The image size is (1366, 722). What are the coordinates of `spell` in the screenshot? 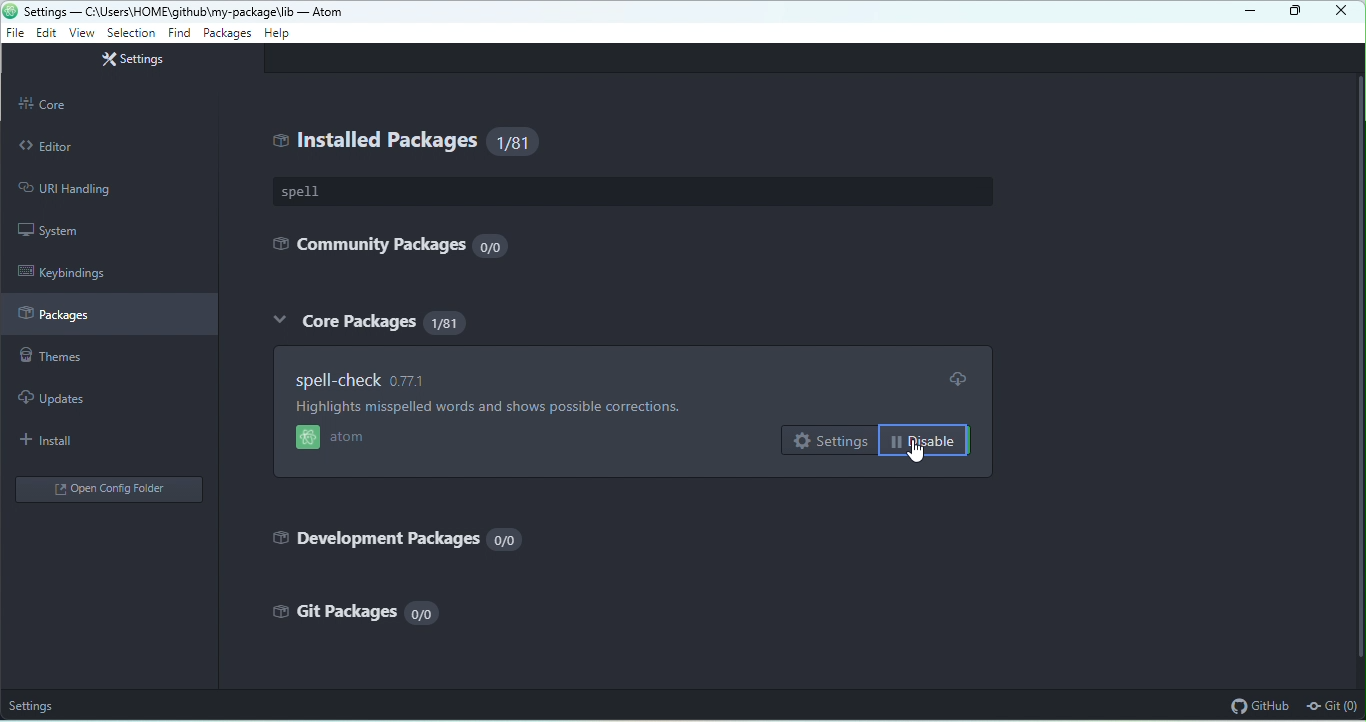 It's located at (631, 192).